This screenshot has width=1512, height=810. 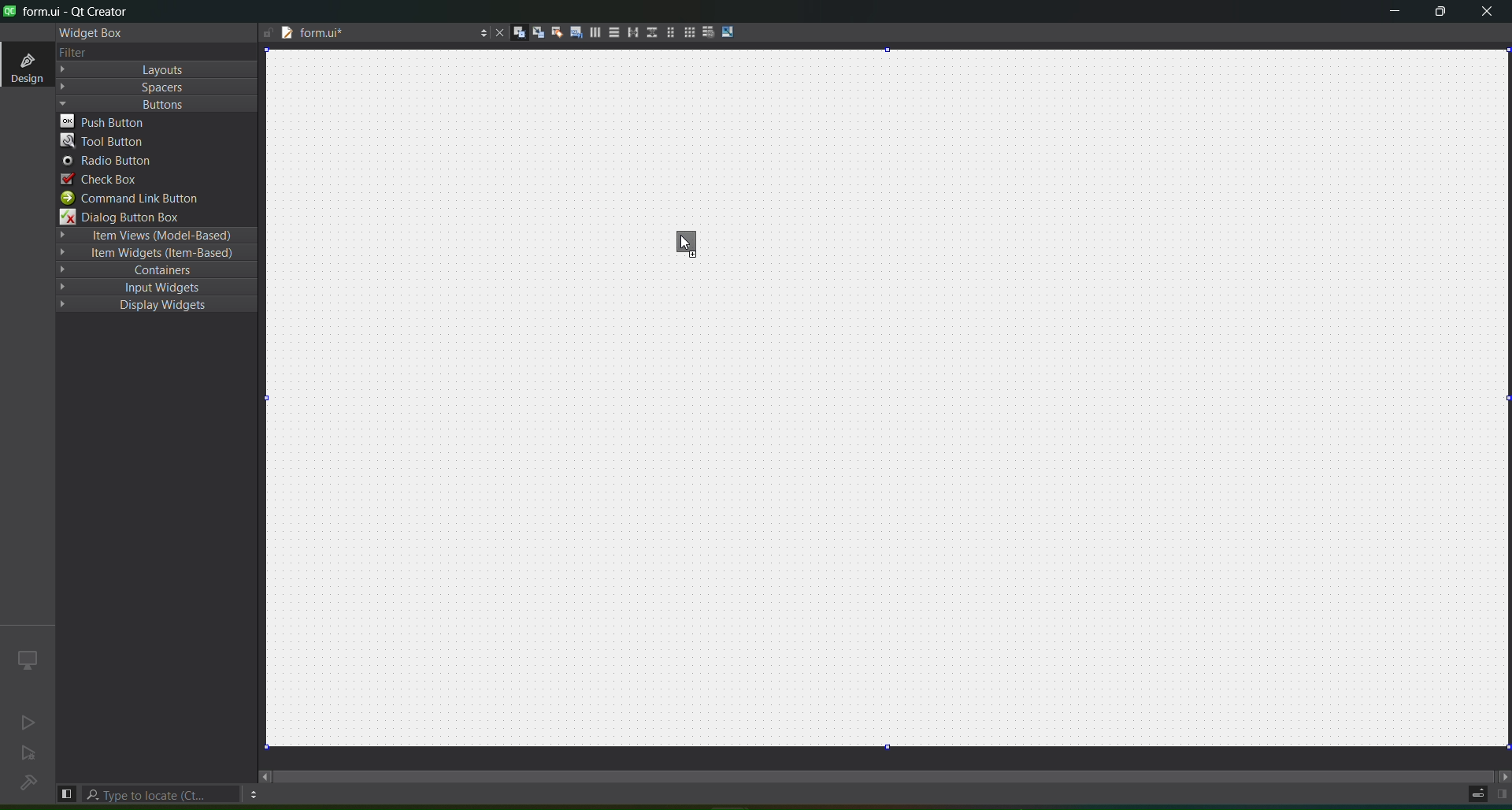 I want to click on adjust size, so click(x=728, y=32).